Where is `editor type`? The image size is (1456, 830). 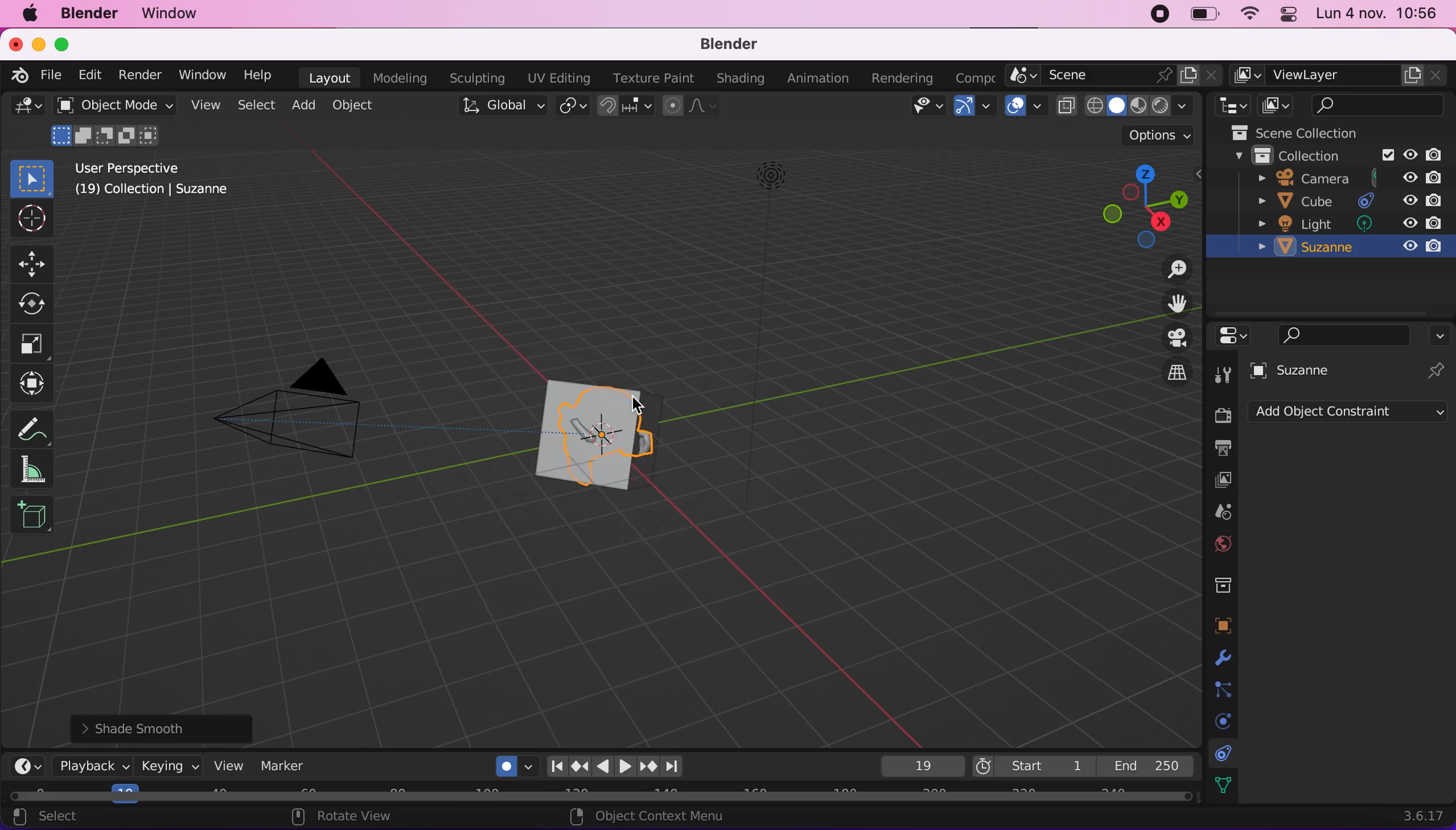 editor type is located at coordinates (27, 767).